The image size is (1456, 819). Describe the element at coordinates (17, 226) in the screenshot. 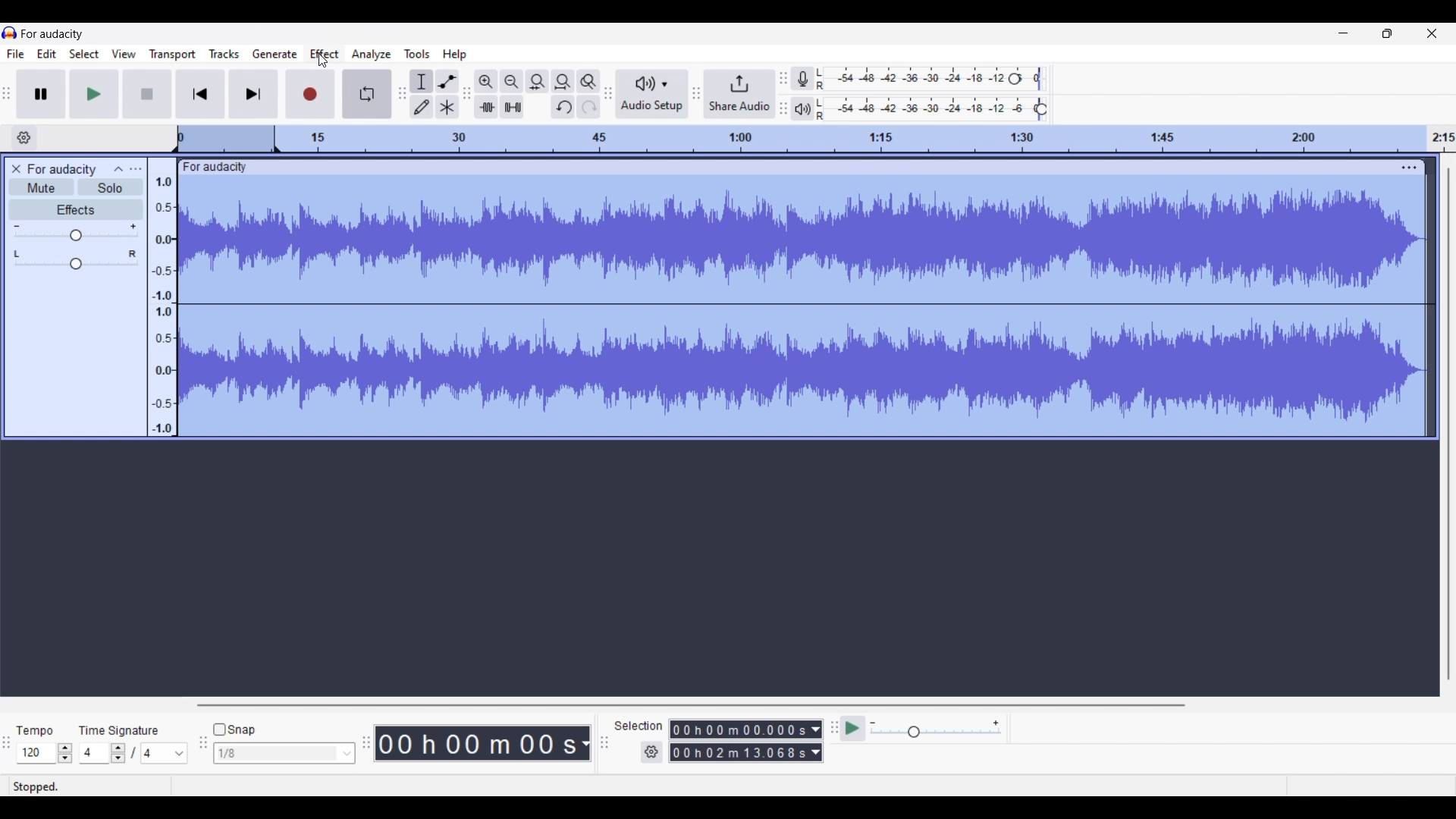

I see `Min. gain` at that location.